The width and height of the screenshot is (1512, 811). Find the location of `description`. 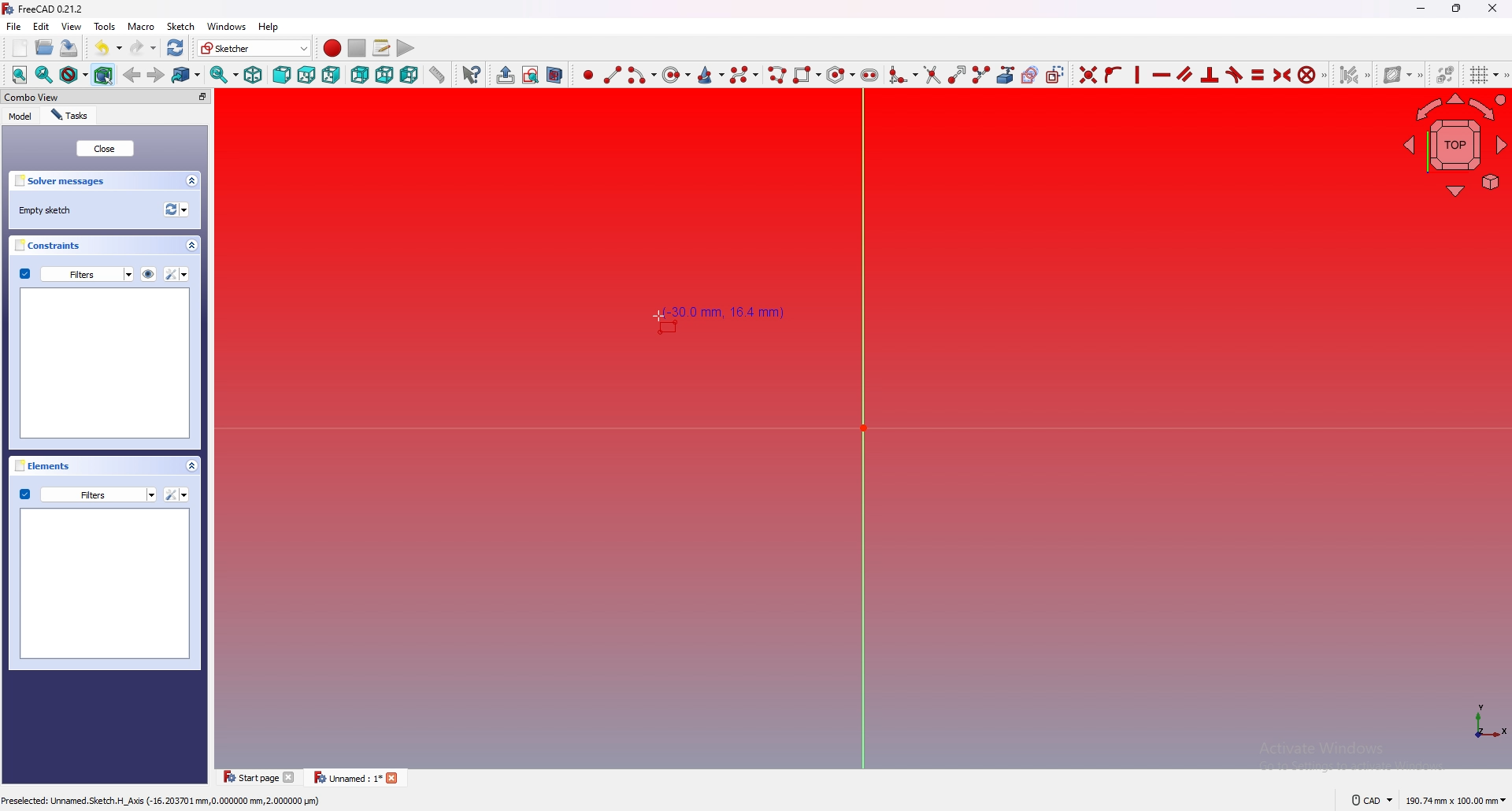

description is located at coordinates (165, 799).